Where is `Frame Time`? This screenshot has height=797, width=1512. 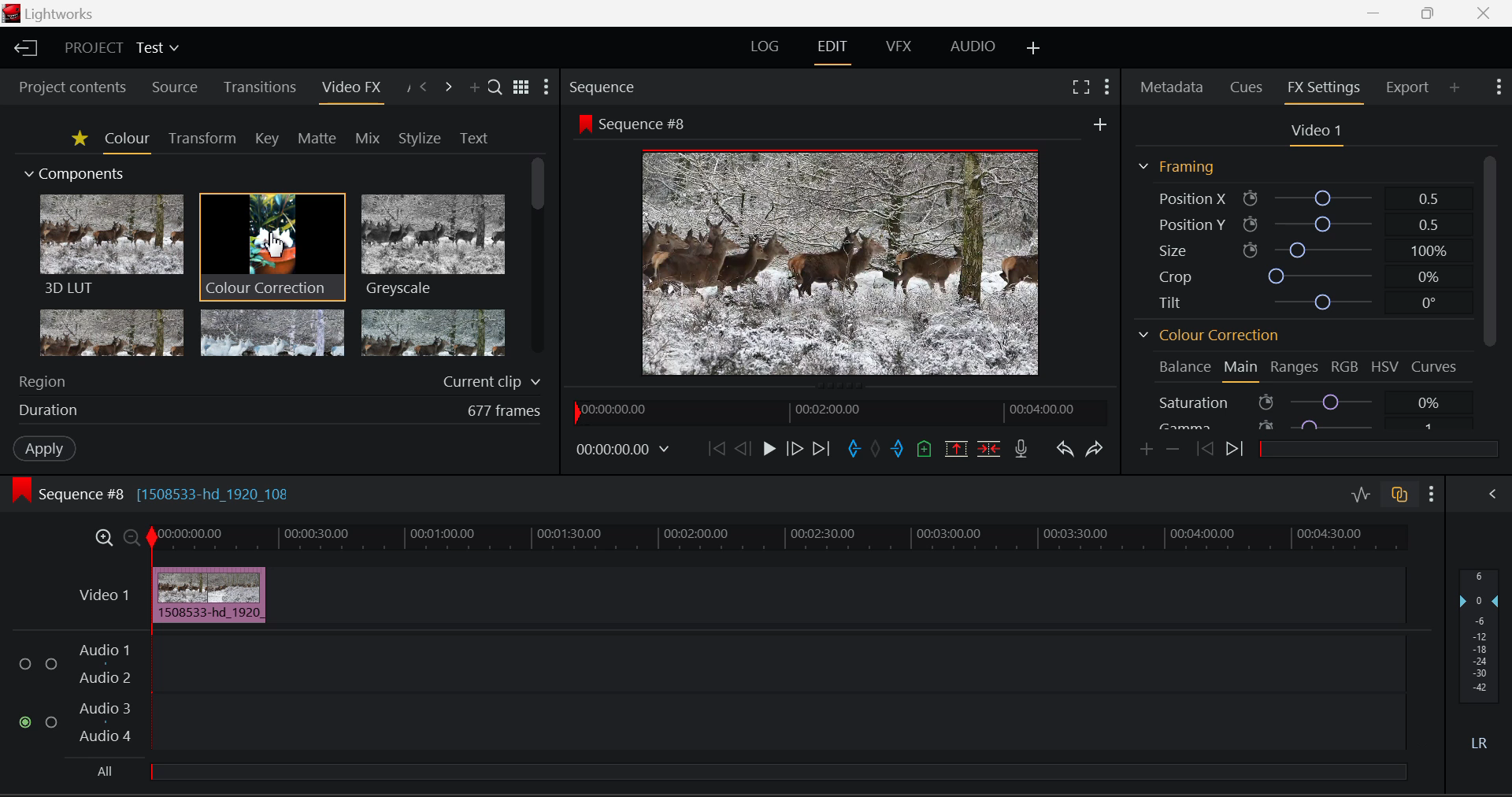
Frame Time is located at coordinates (623, 451).